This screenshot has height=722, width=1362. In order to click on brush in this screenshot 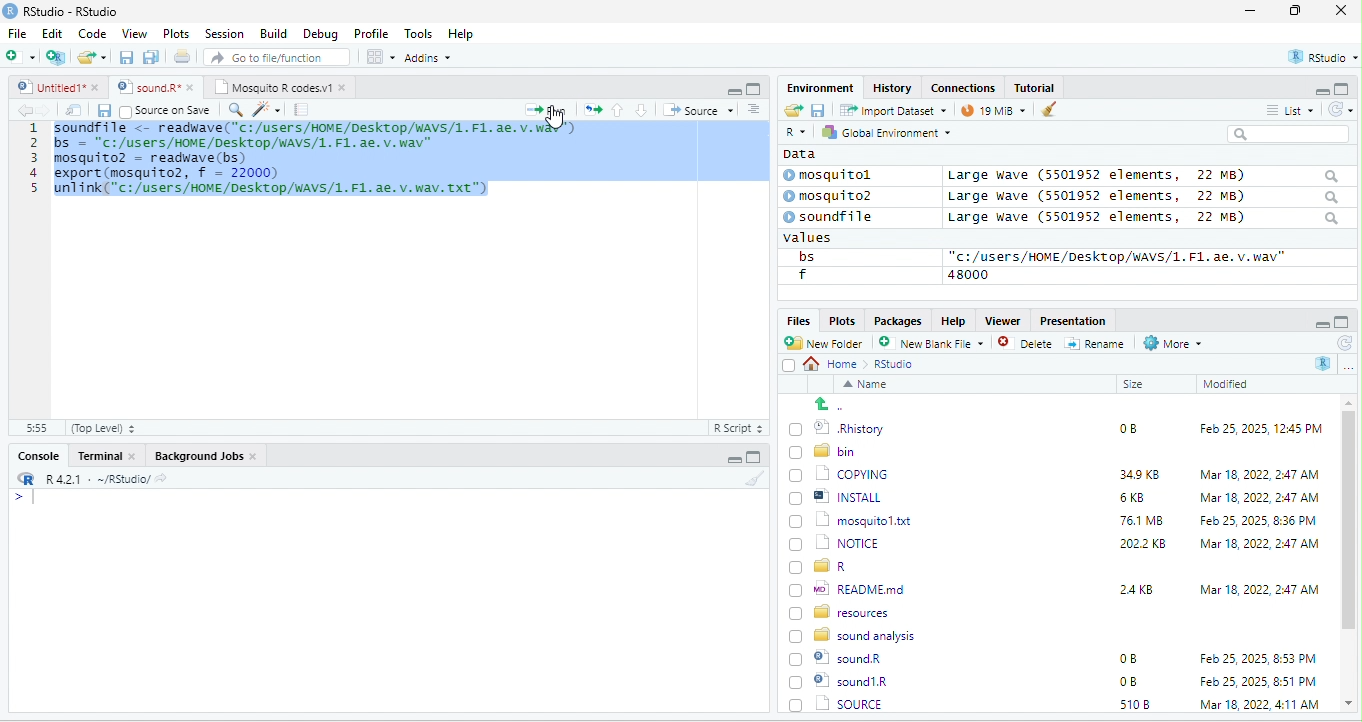, I will do `click(757, 479)`.